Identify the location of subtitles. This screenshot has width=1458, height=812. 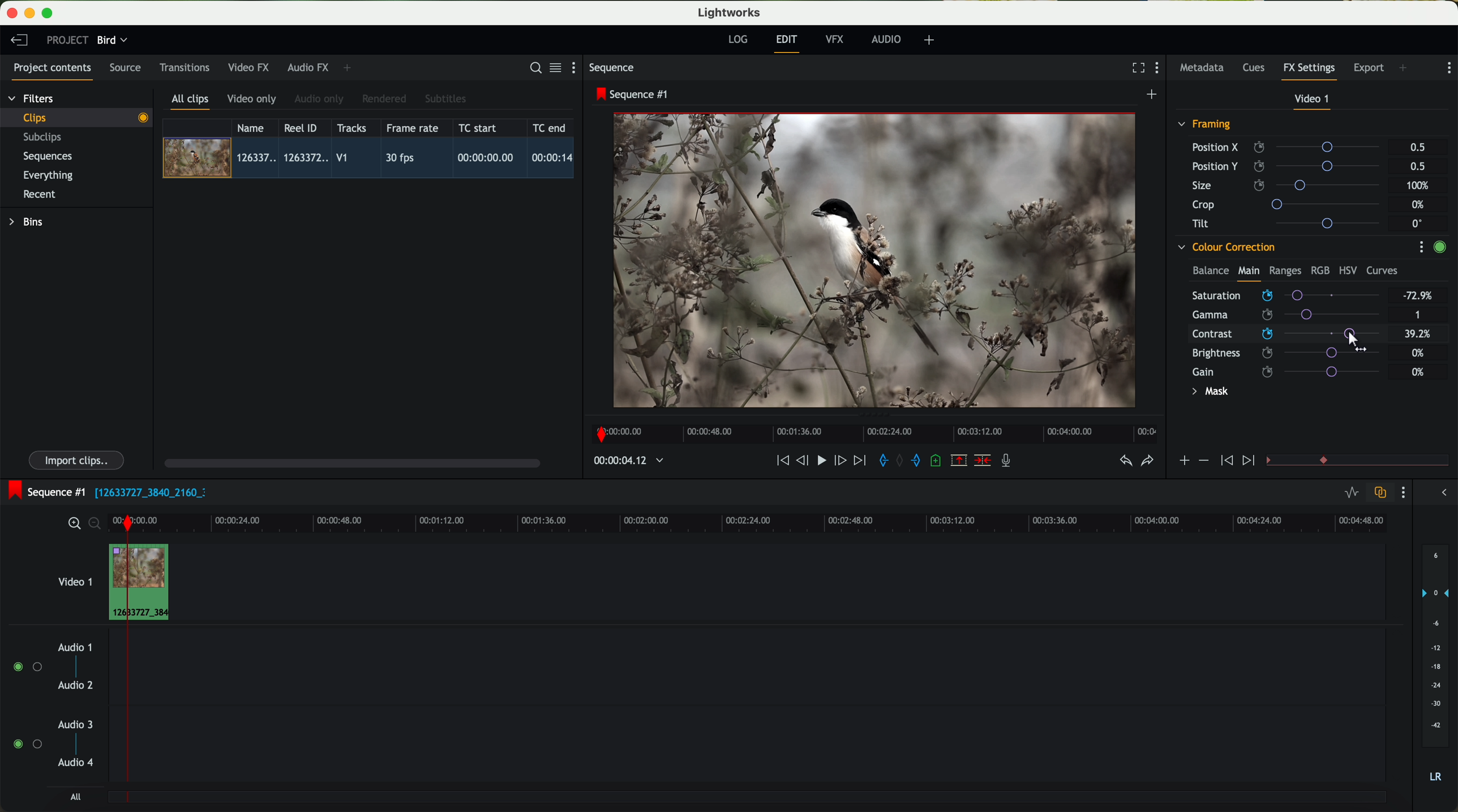
(444, 99).